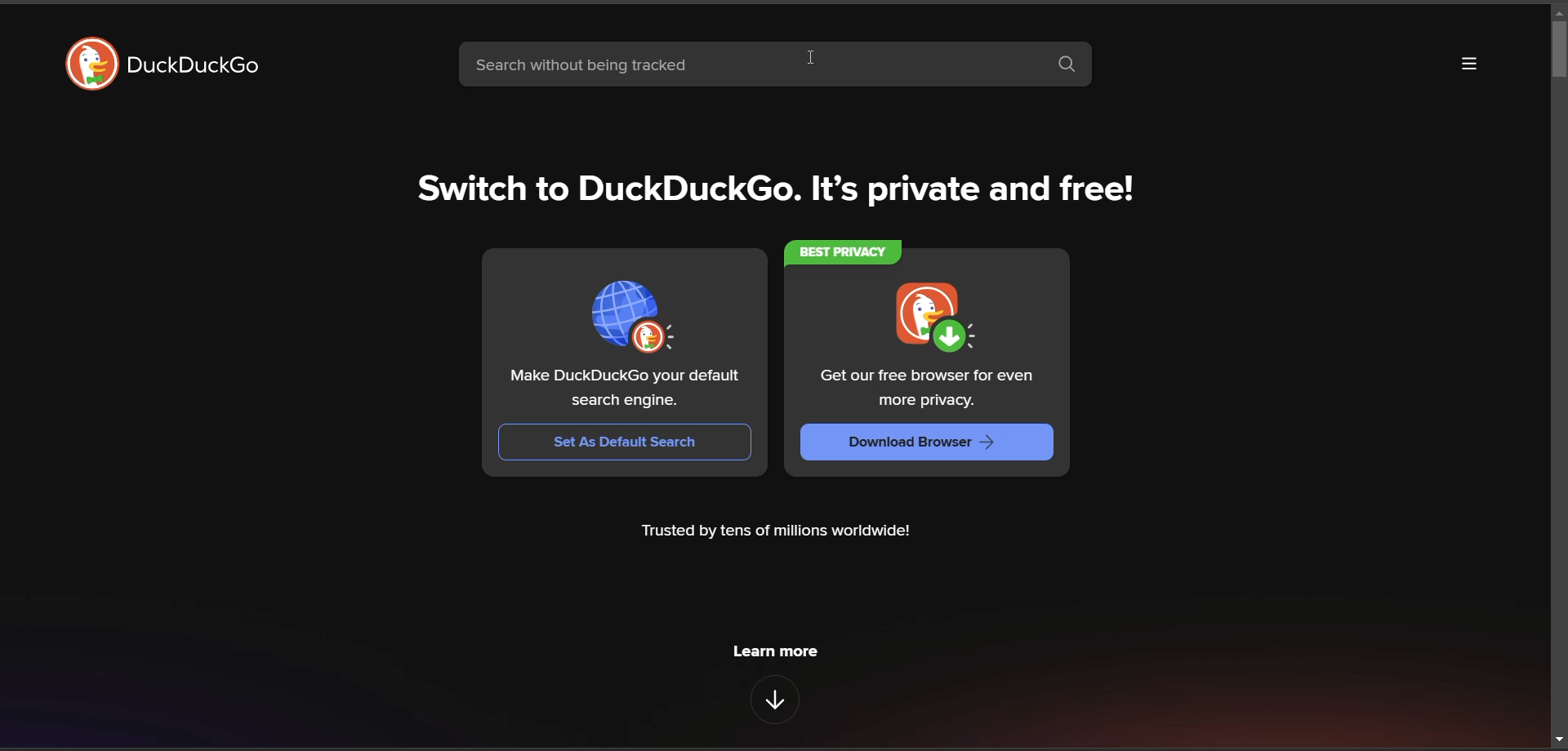  I want to click on download browser, so click(916, 444).